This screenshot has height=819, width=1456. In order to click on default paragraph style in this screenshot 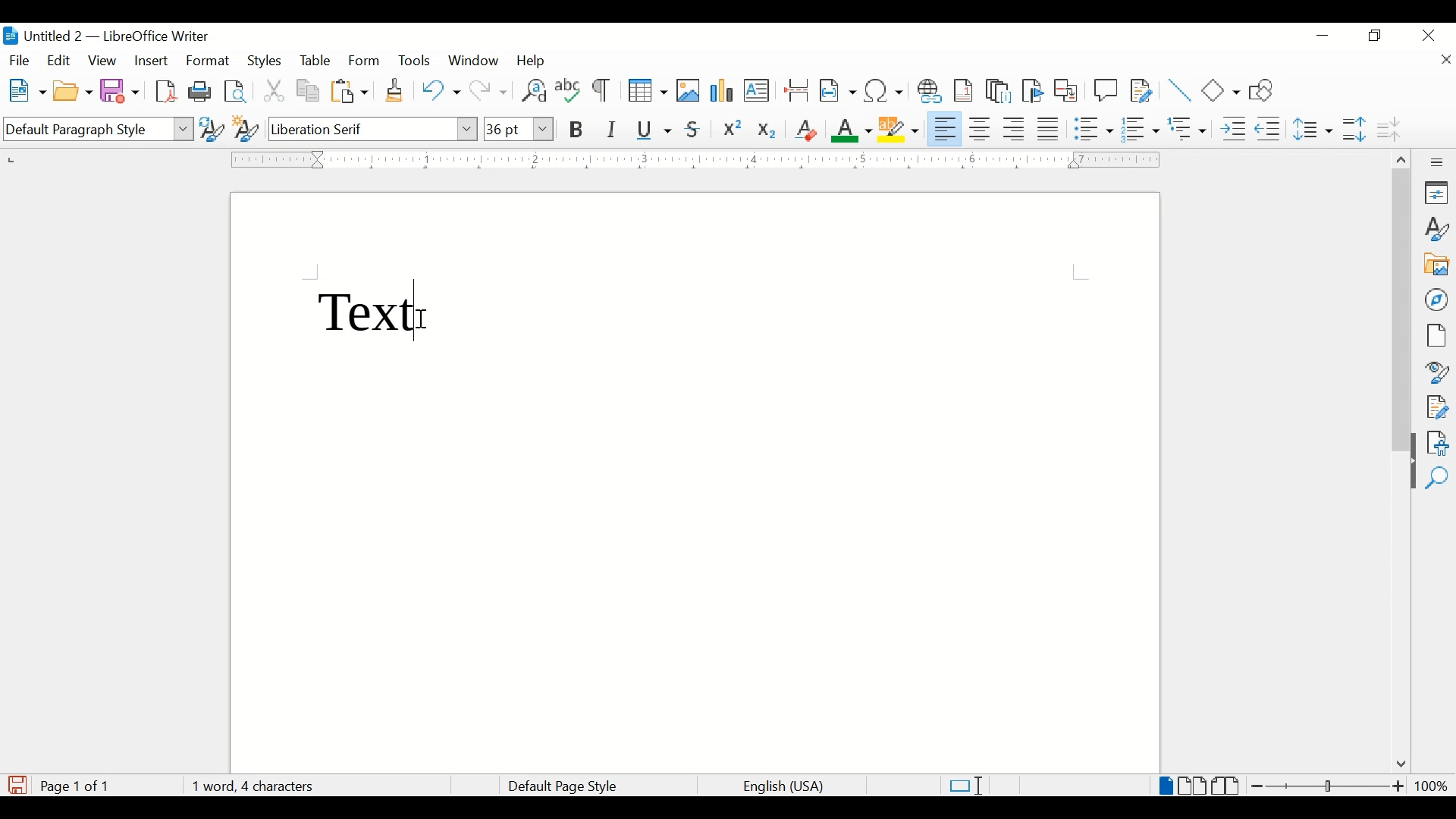, I will do `click(96, 130)`.